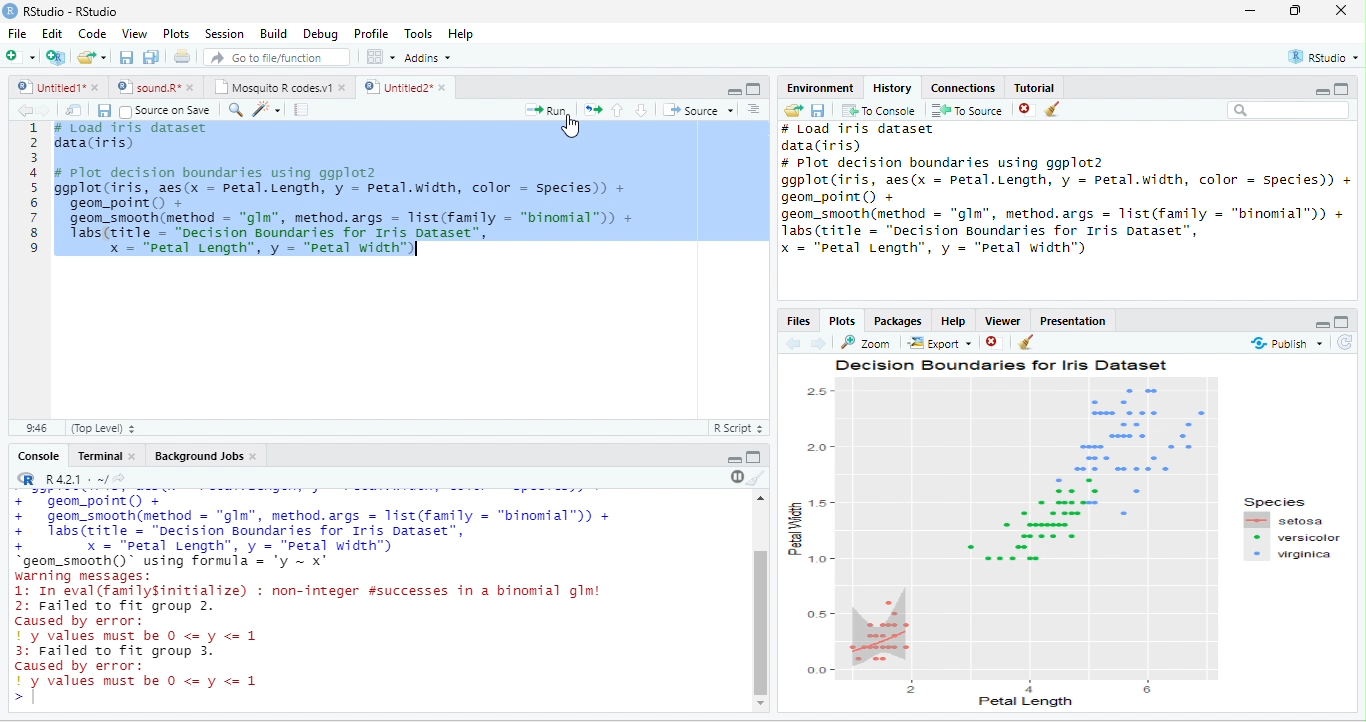  I want to click on scroll bar, so click(761, 622).